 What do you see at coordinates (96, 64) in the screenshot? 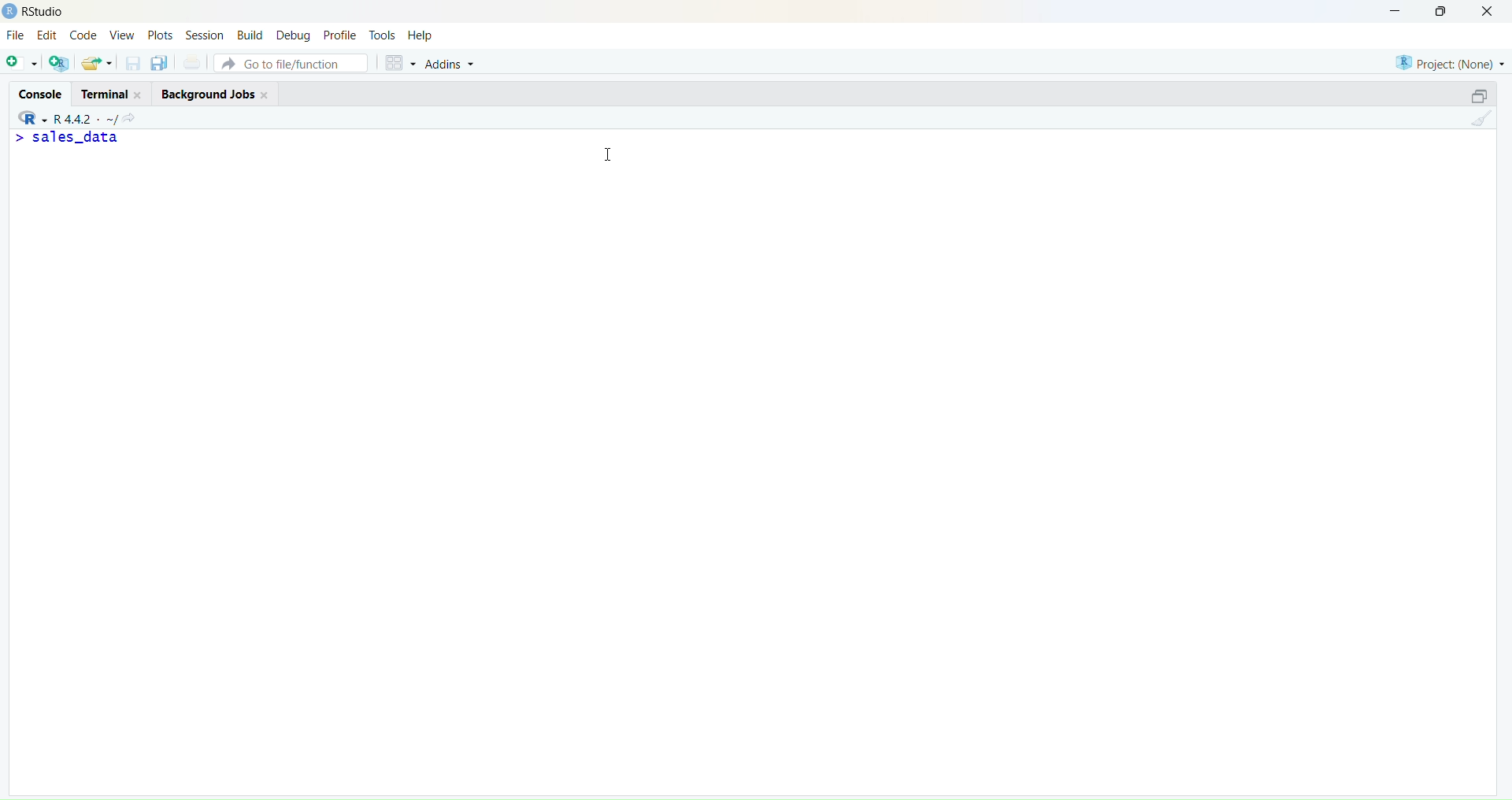
I see `save and export` at bounding box center [96, 64].